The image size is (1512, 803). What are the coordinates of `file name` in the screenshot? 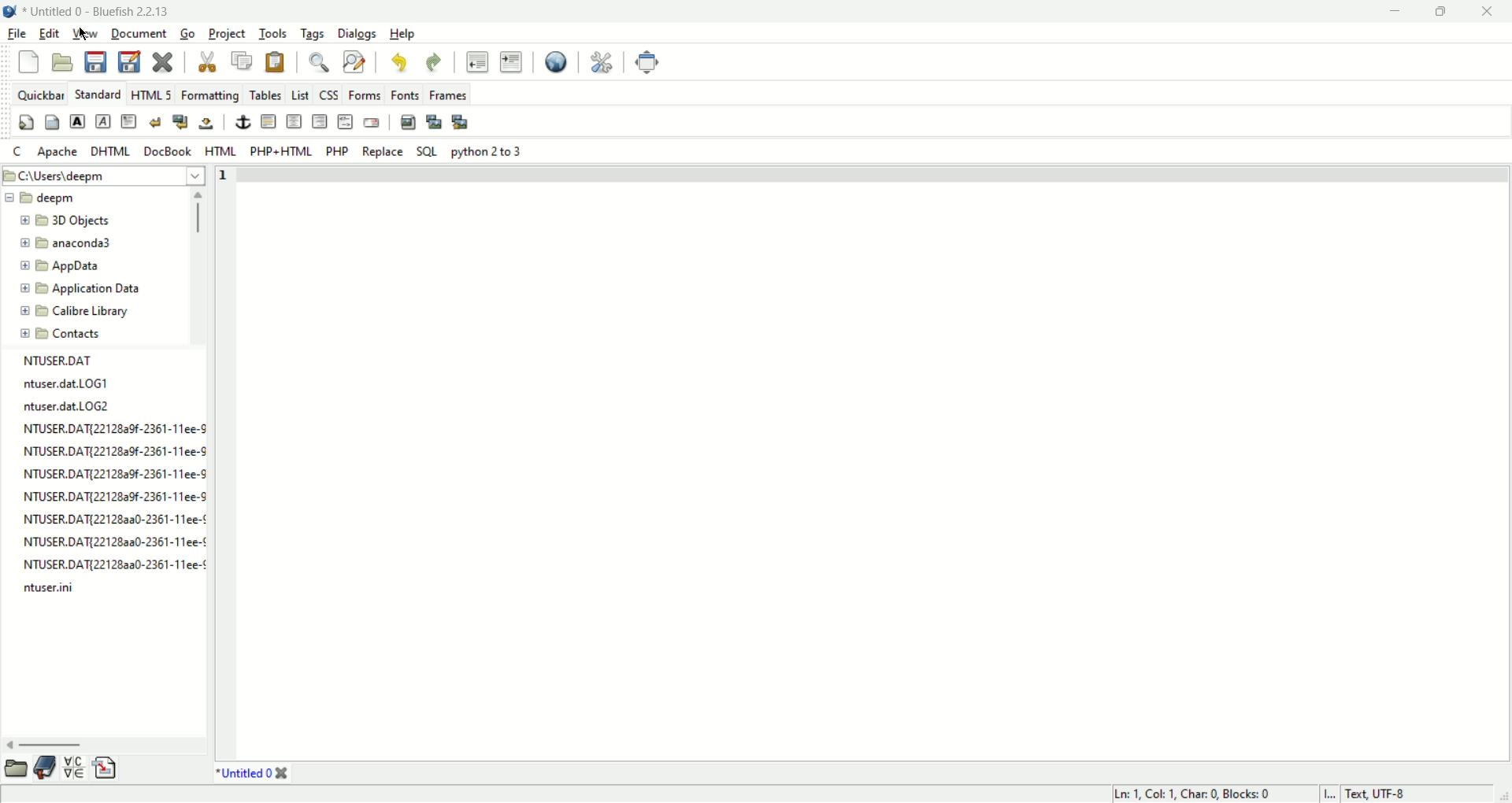 It's located at (62, 360).